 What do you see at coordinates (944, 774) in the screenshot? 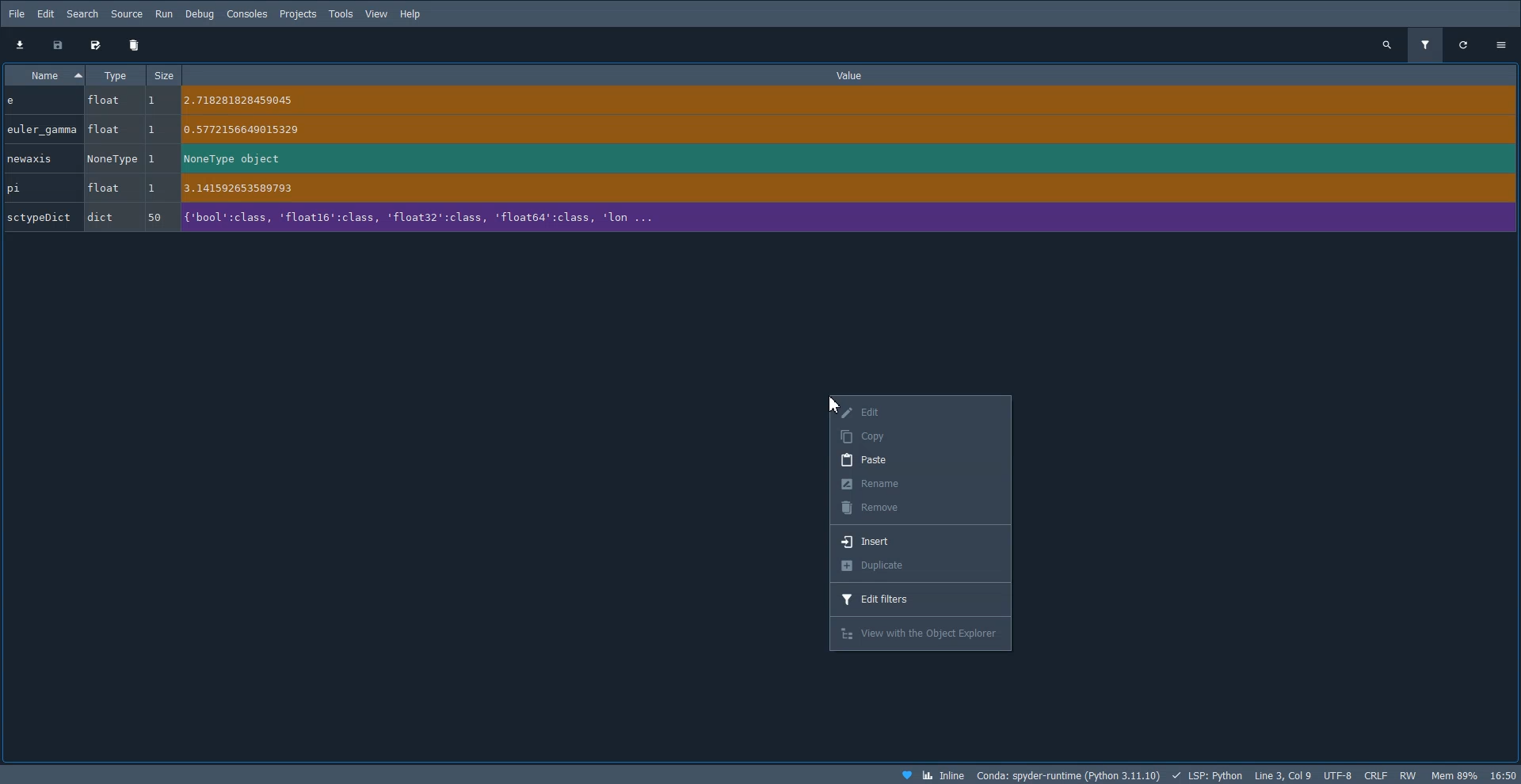
I see `Inline` at bounding box center [944, 774].